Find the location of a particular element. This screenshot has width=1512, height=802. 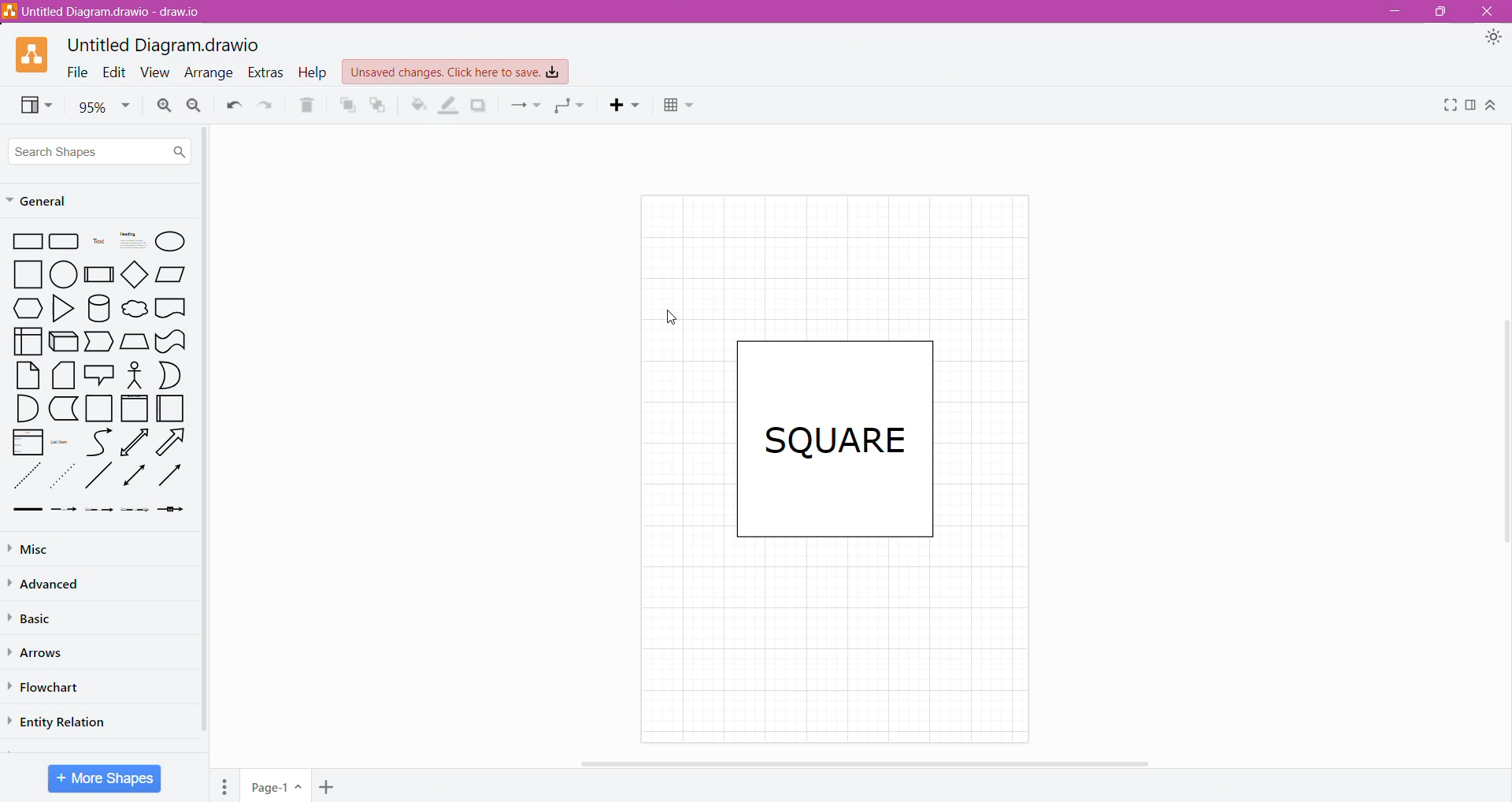

Half Circle is located at coordinates (170, 375).